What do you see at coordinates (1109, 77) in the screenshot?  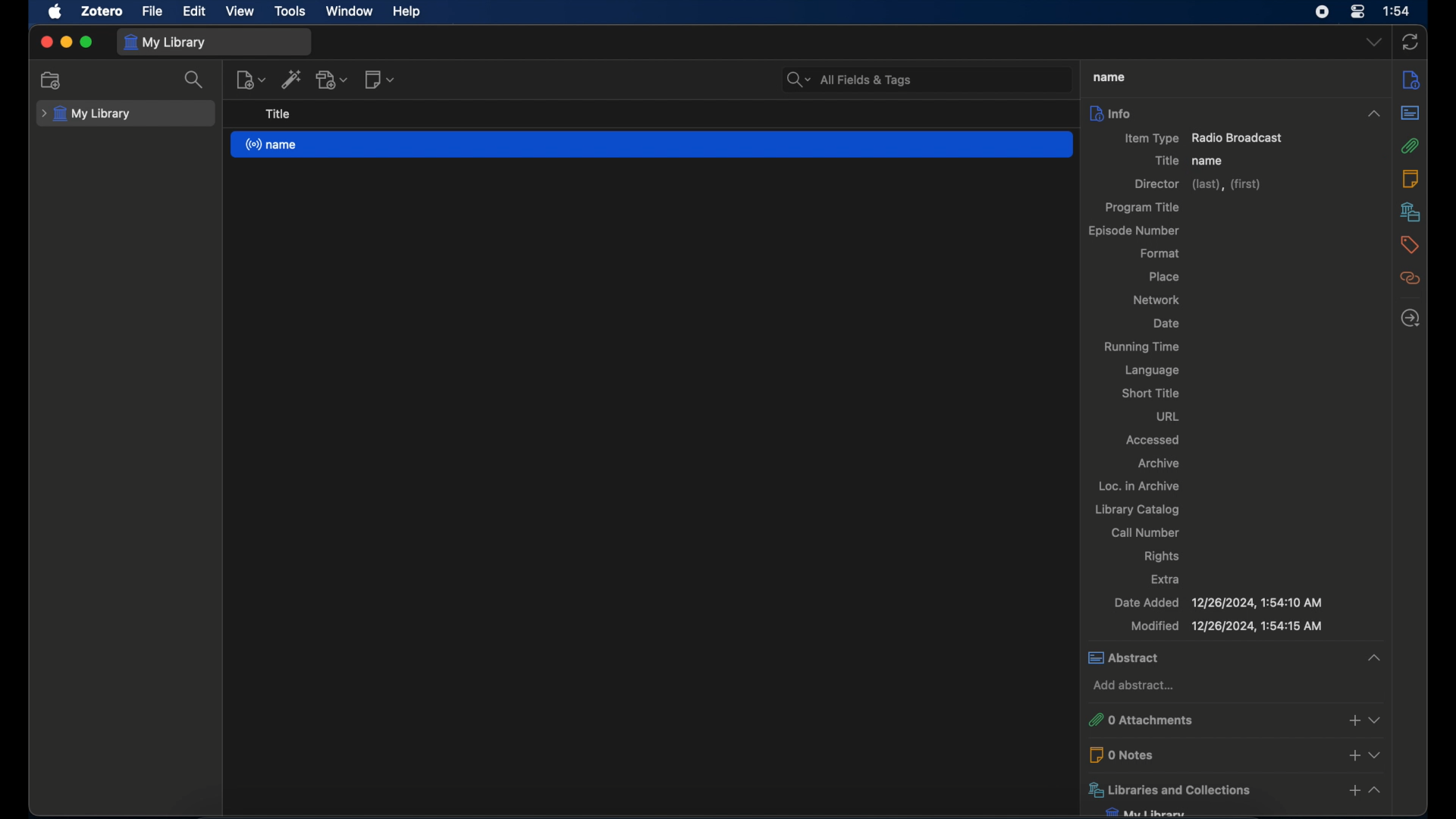 I see `name` at bounding box center [1109, 77].